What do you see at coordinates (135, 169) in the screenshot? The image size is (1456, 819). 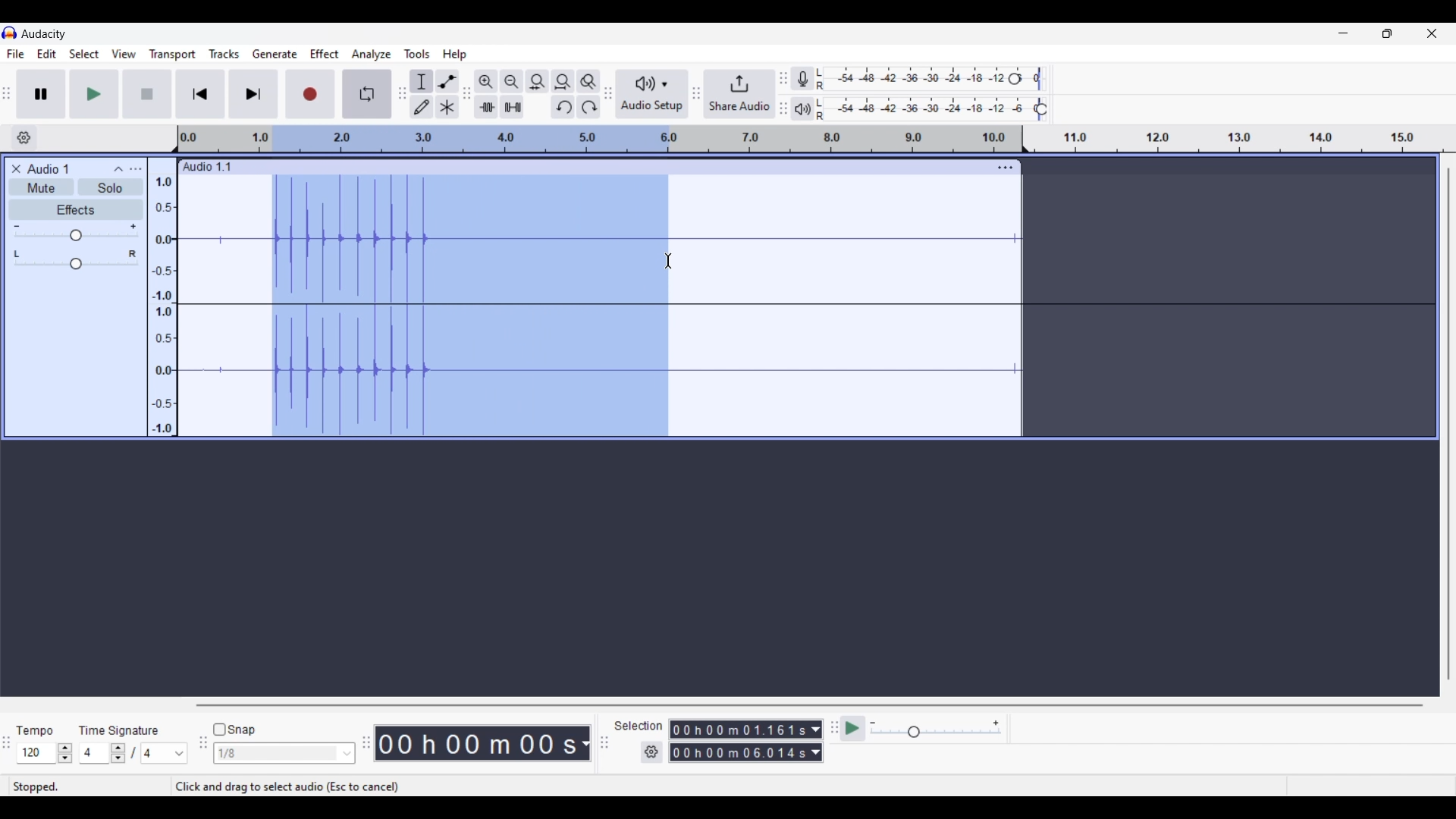 I see `Open menu` at bounding box center [135, 169].